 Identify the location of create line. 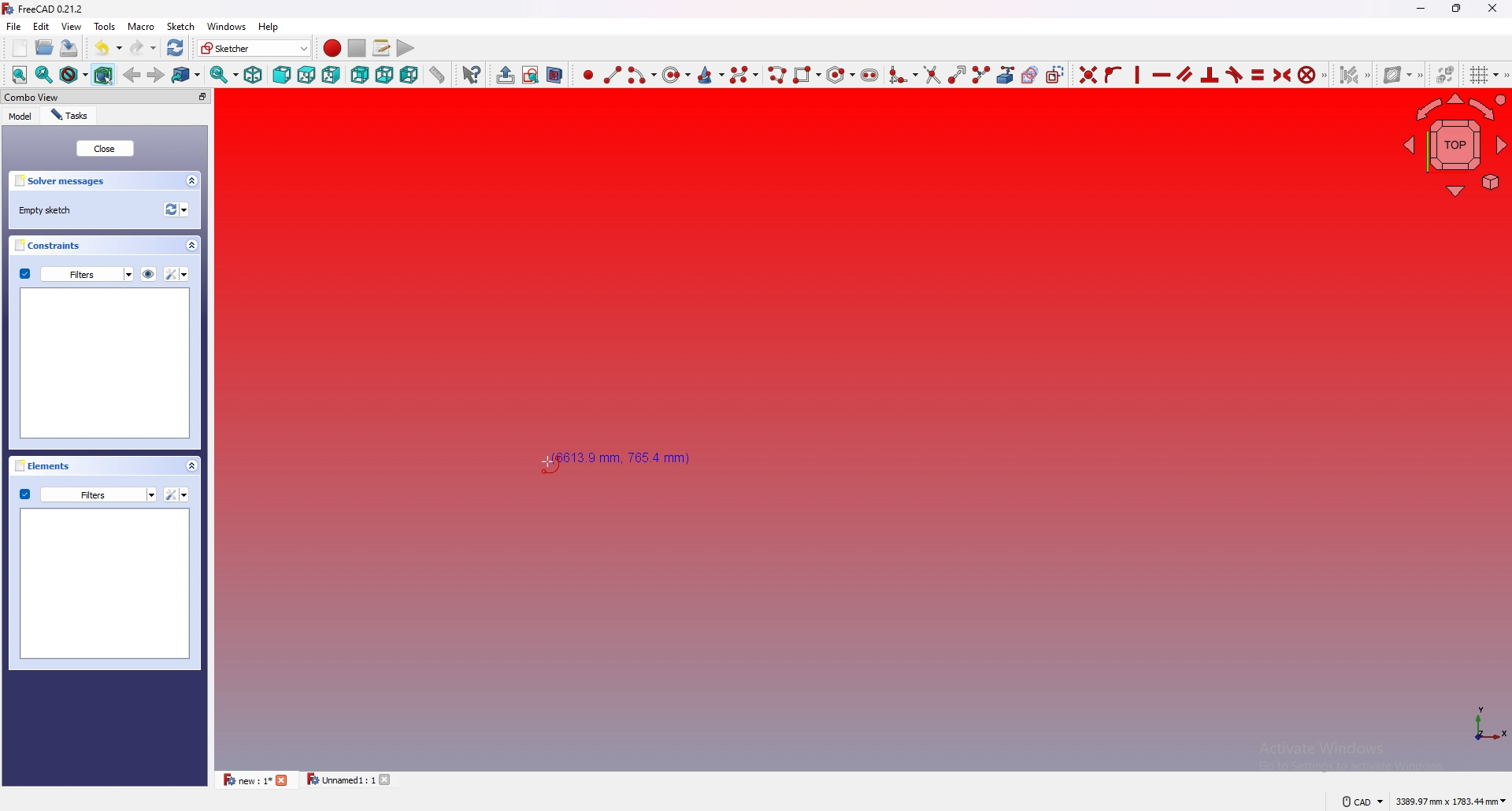
(613, 74).